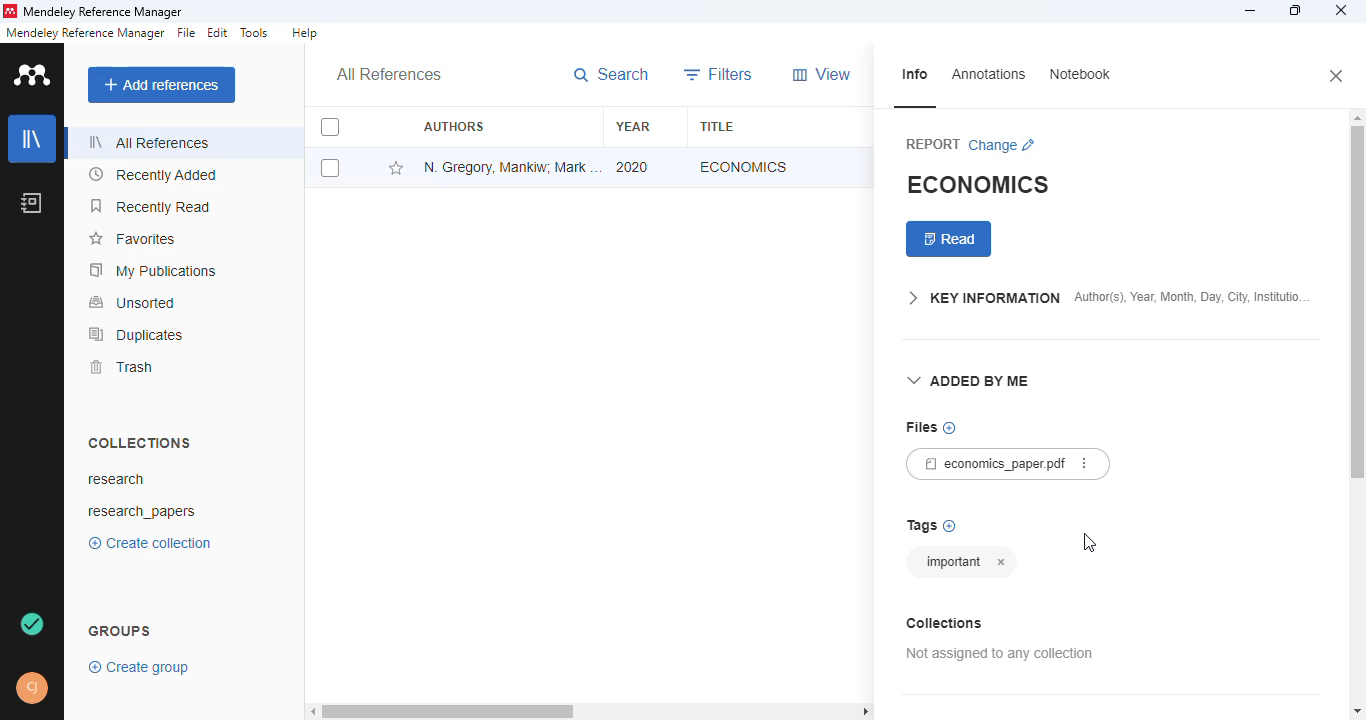 This screenshot has height=720, width=1366. I want to click on file, so click(187, 33).